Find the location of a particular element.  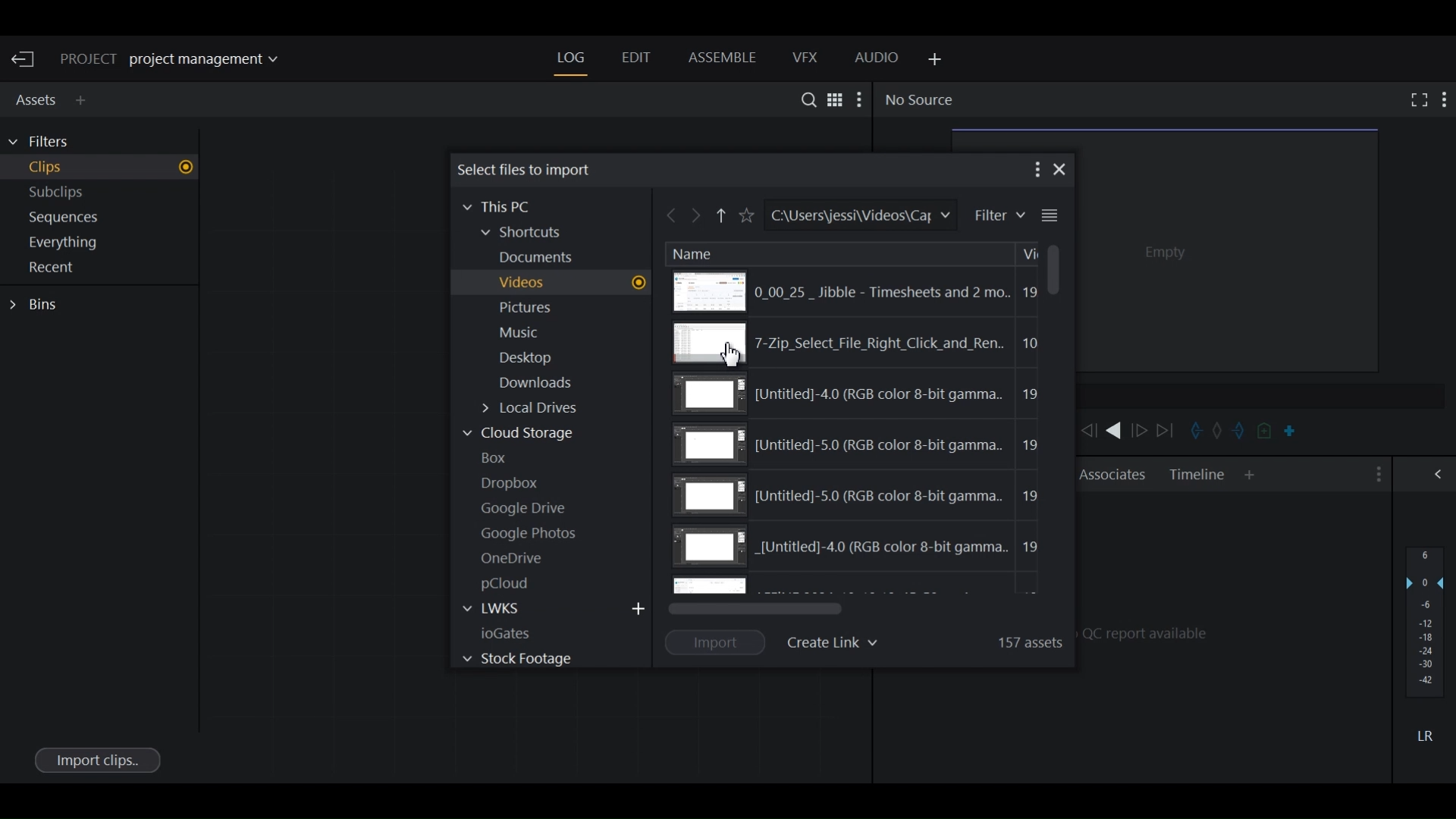

LWKS is located at coordinates (504, 609).